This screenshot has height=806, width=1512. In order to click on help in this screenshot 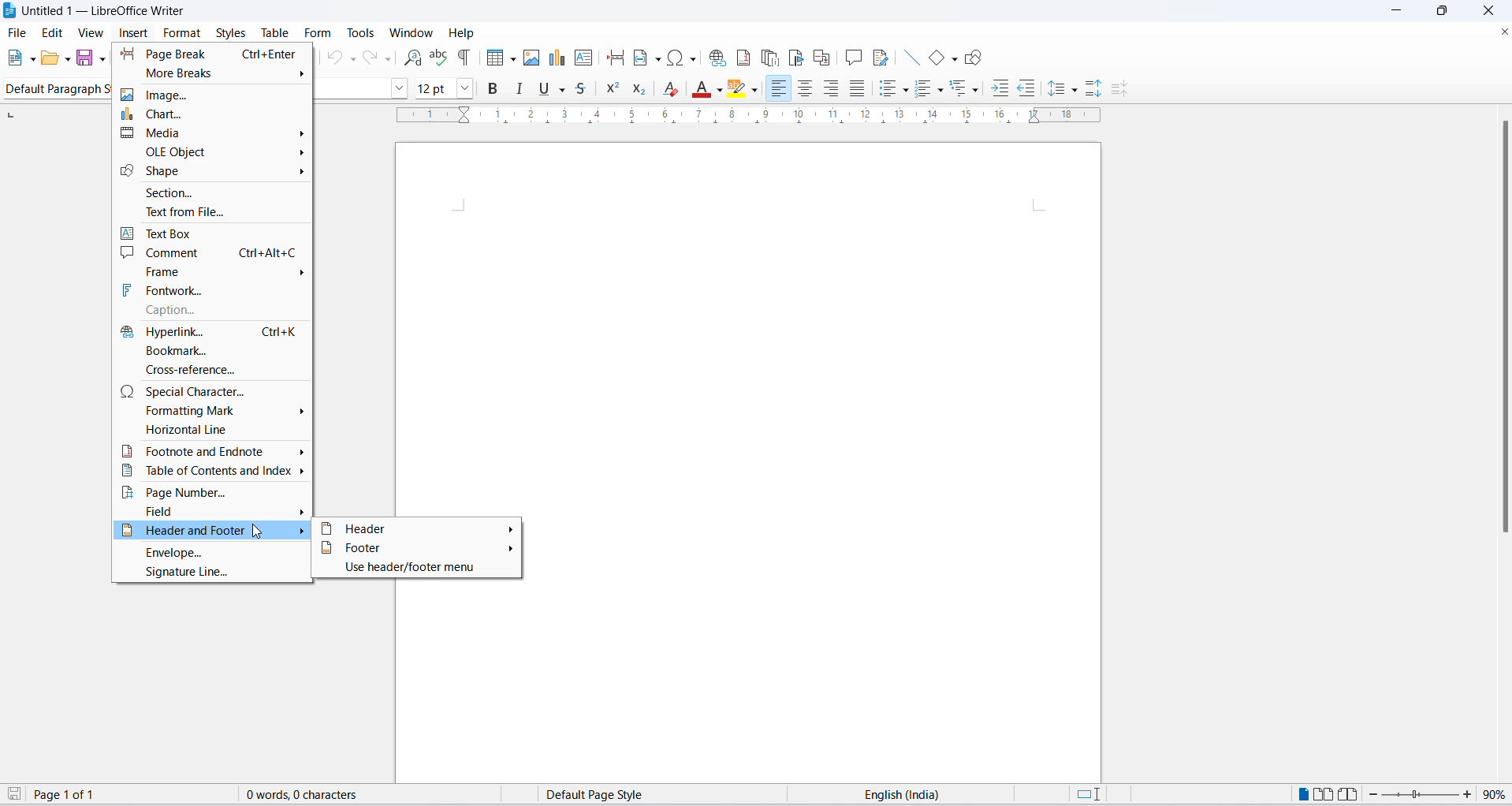, I will do `click(459, 32)`.